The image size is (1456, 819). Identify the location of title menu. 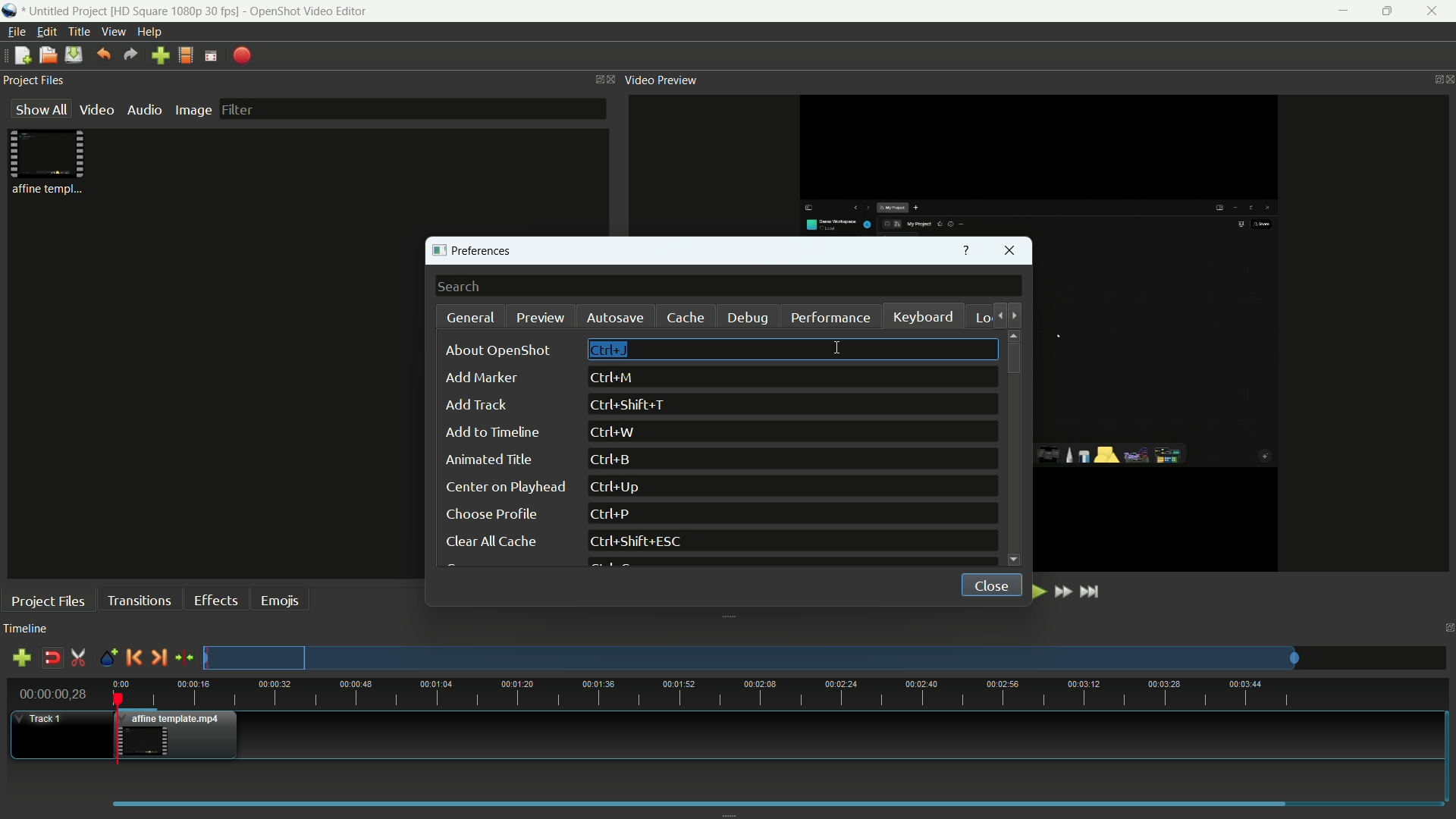
(79, 31).